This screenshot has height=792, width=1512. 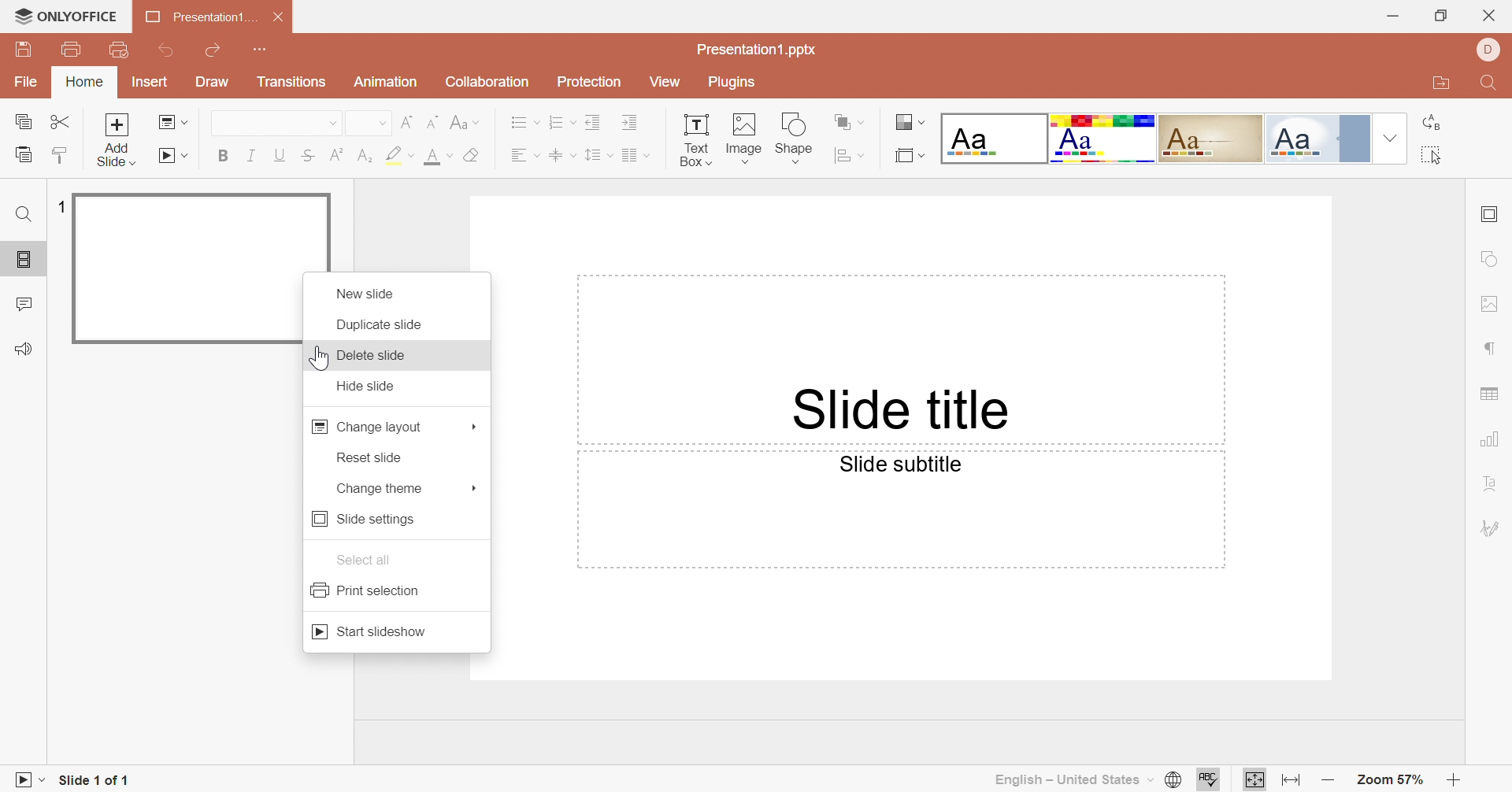 I want to click on Drop Down, so click(x=865, y=156).